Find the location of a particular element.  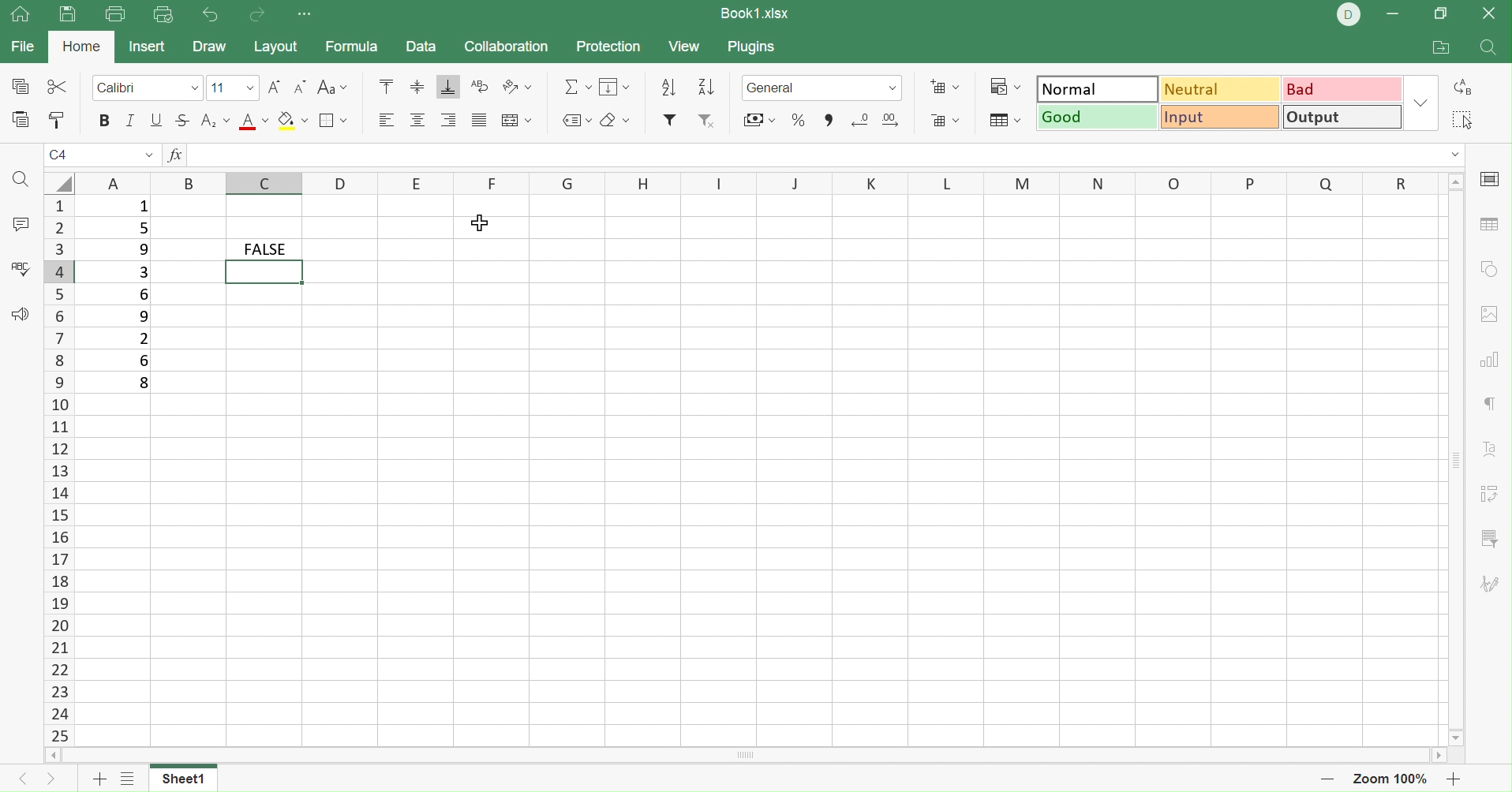

=ISBLANK(A3) is located at coordinates (239, 155).